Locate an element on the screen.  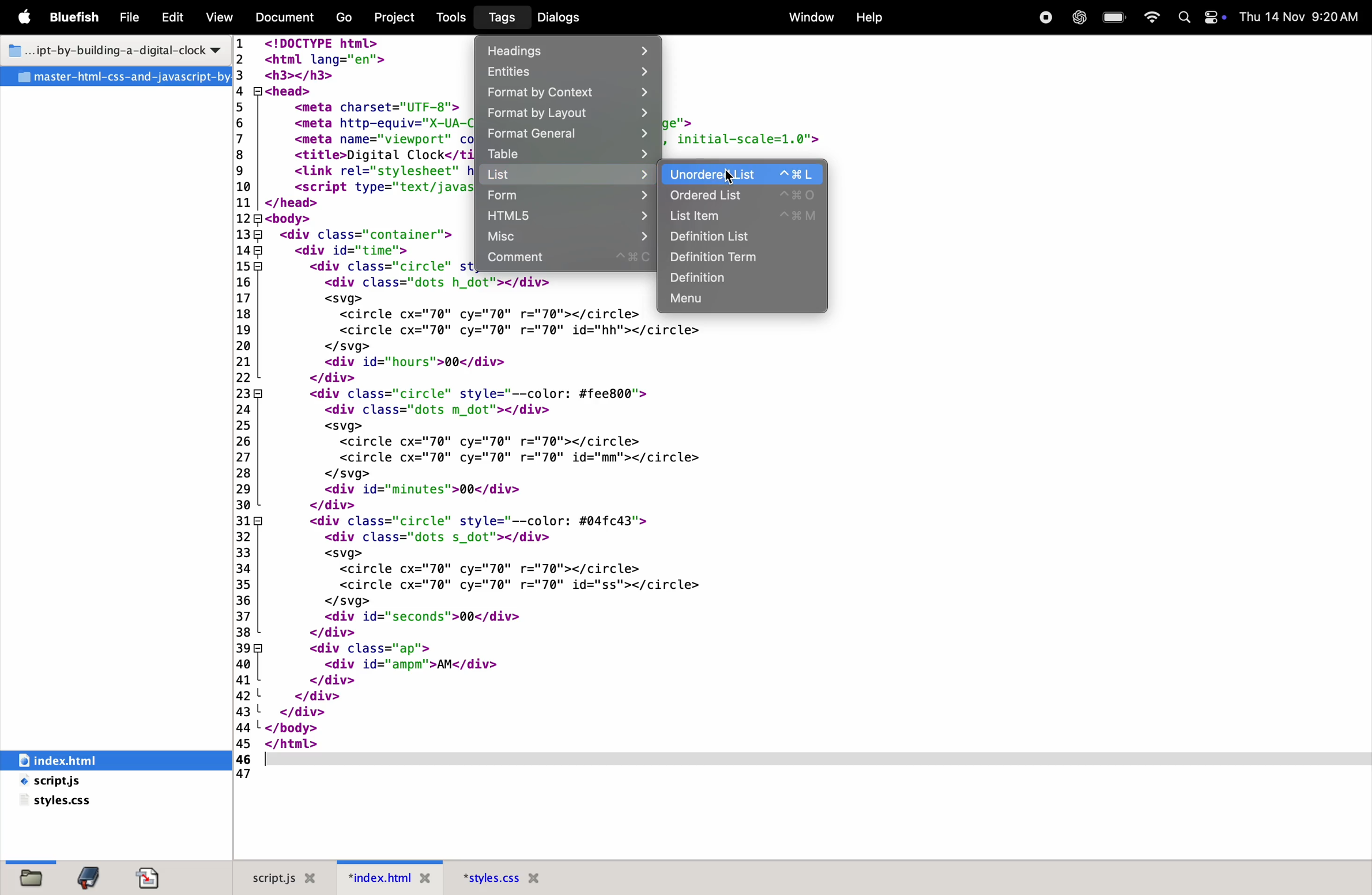
form is located at coordinates (568, 195).